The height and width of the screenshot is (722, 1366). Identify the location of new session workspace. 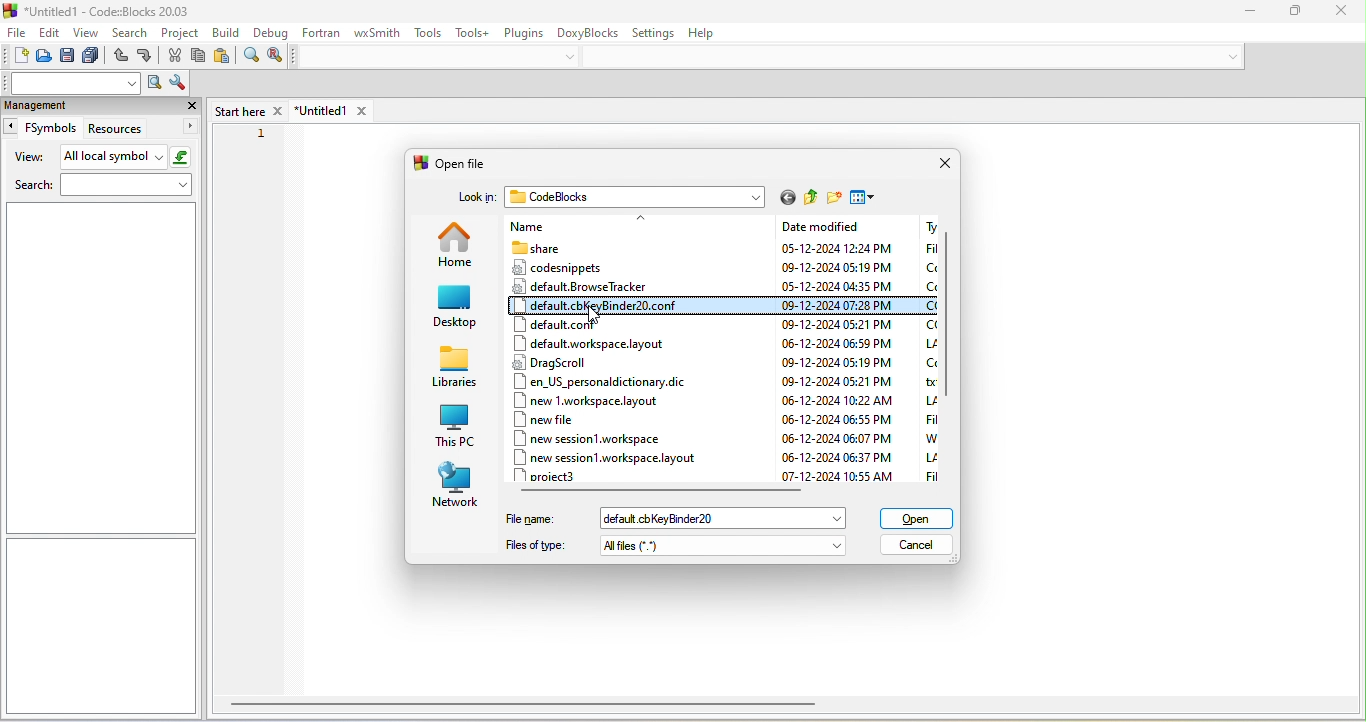
(587, 438).